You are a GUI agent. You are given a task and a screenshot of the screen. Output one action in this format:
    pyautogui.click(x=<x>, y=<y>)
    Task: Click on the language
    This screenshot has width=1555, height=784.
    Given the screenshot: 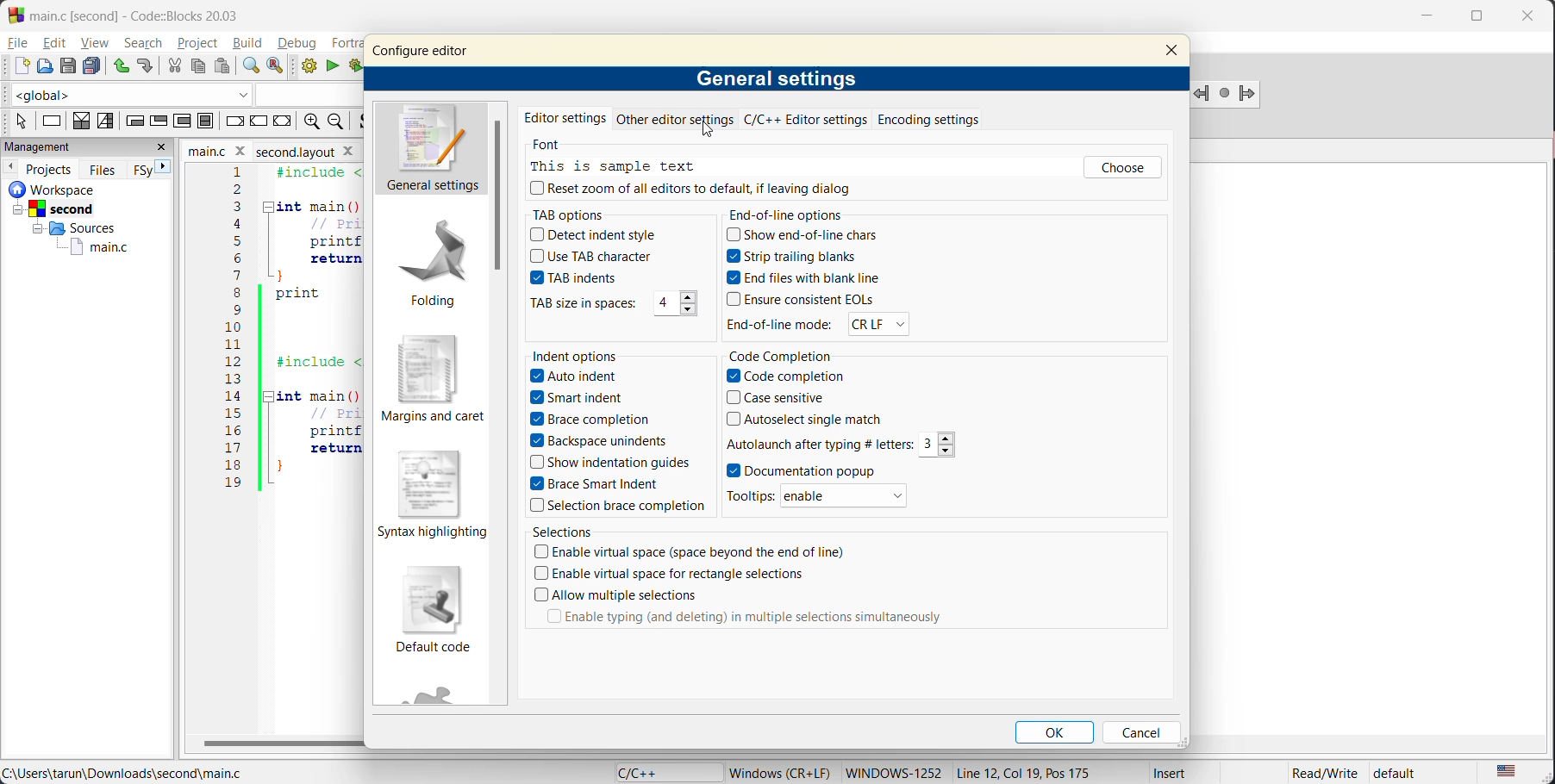 What is the action you would take?
    pyautogui.click(x=659, y=771)
    